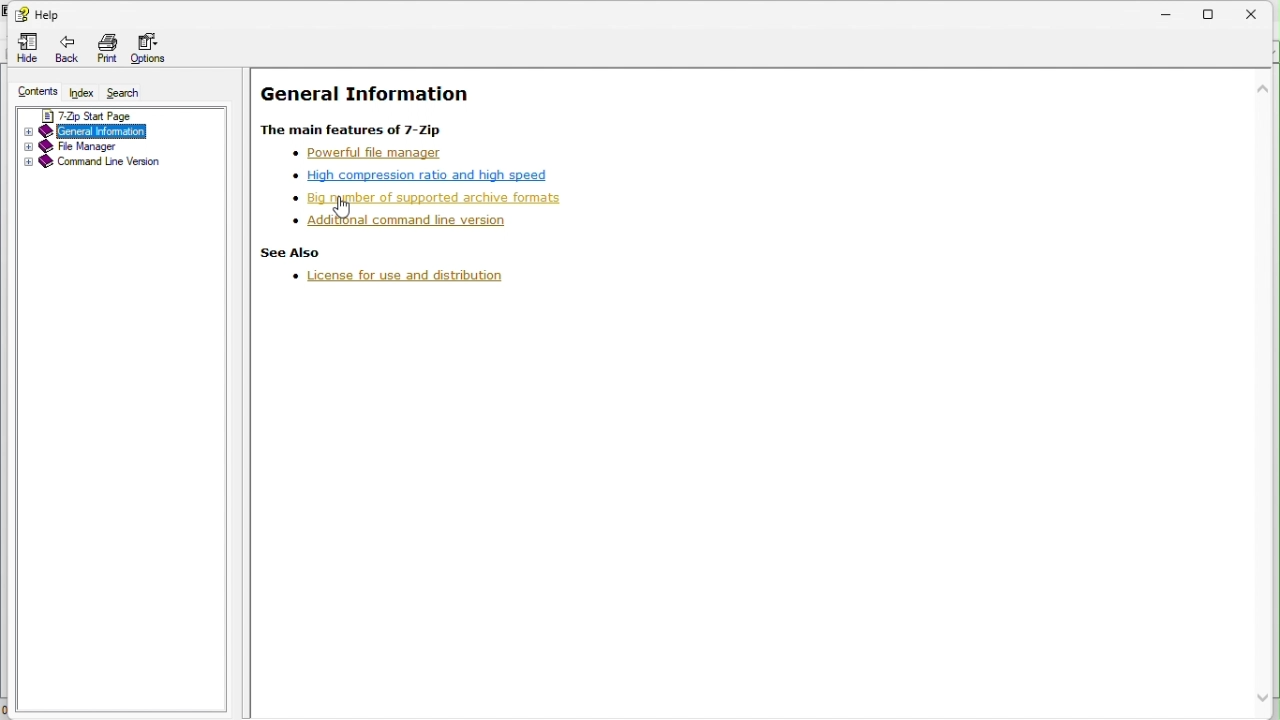 This screenshot has width=1280, height=720. What do you see at coordinates (116, 116) in the screenshot?
I see `7 zip start page` at bounding box center [116, 116].